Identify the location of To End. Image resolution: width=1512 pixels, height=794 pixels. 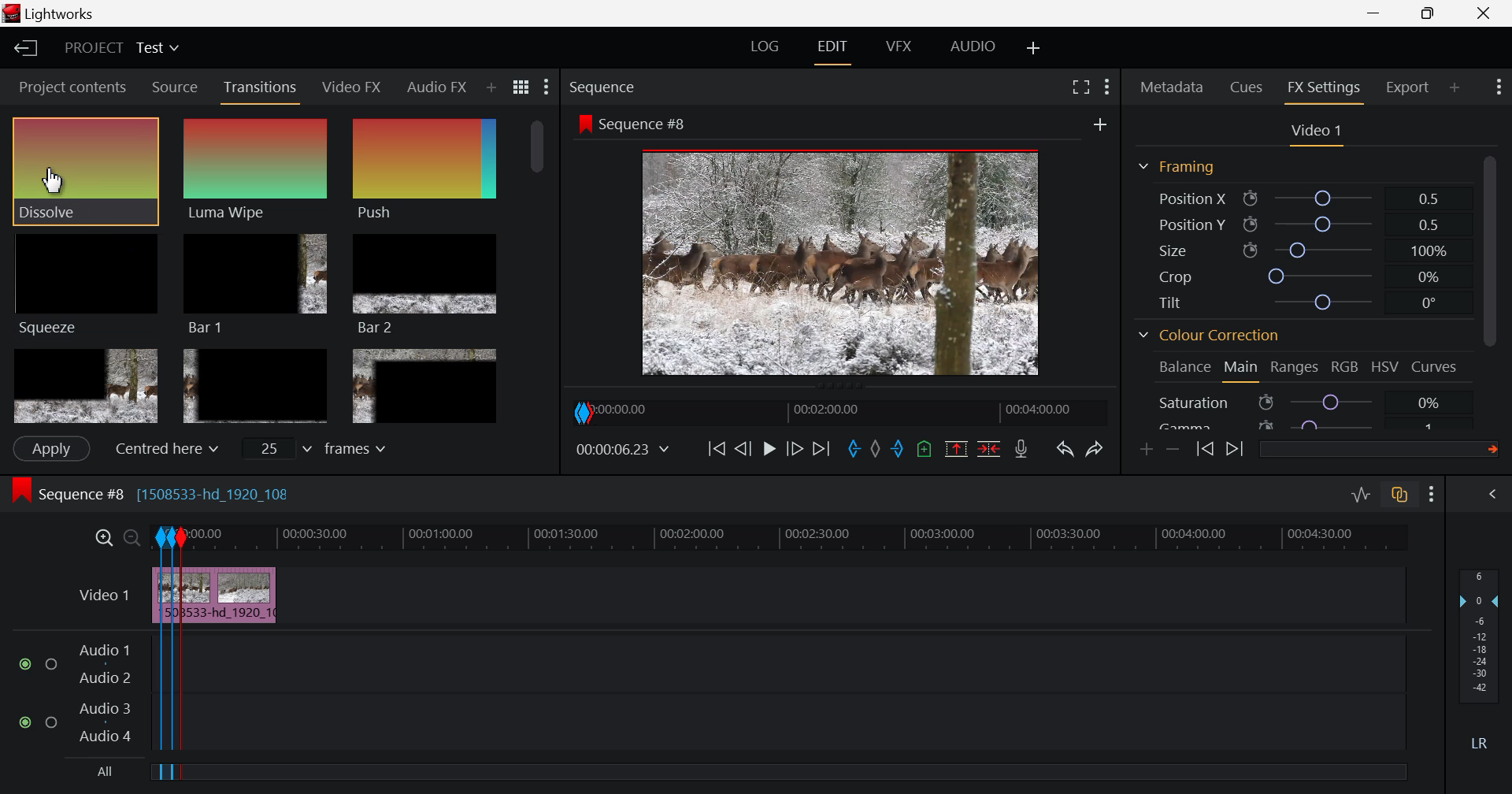
(819, 452).